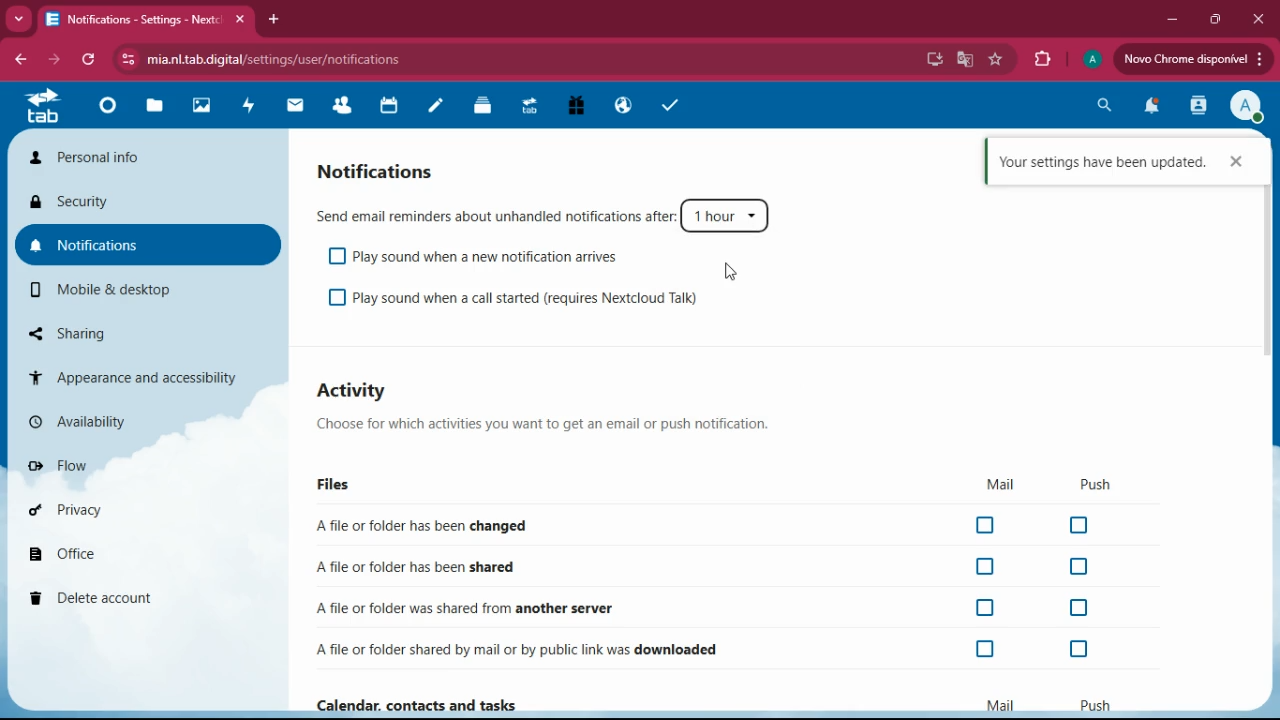 Image resolution: width=1280 pixels, height=720 pixels. What do you see at coordinates (1270, 289) in the screenshot?
I see `scroll` at bounding box center [1270, 289].